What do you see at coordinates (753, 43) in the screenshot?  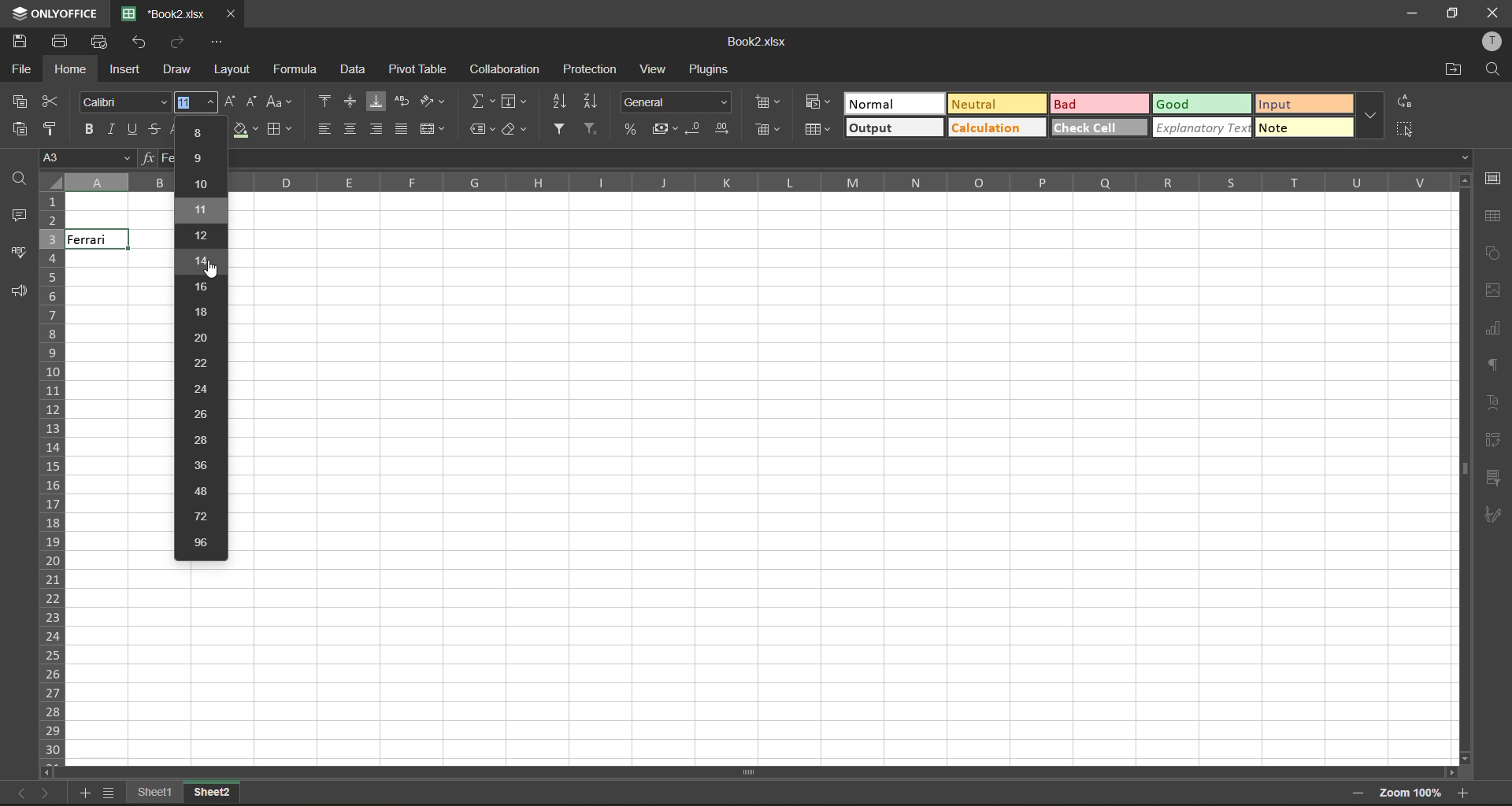 I see `filename` at bounding box center [753, 43].